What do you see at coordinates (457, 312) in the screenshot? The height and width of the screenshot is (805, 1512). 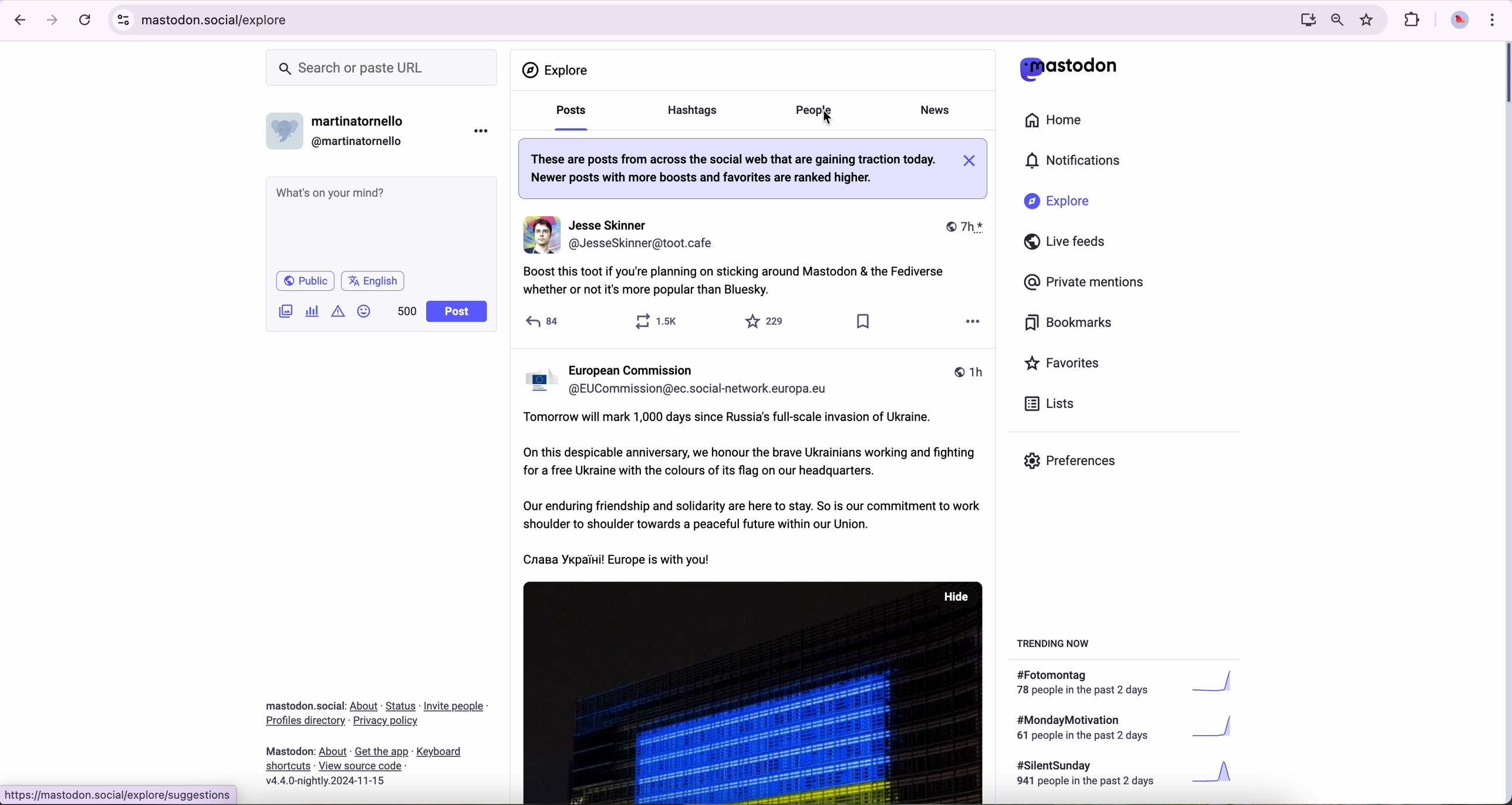 I see `post button` at bounding box center [457, 312].